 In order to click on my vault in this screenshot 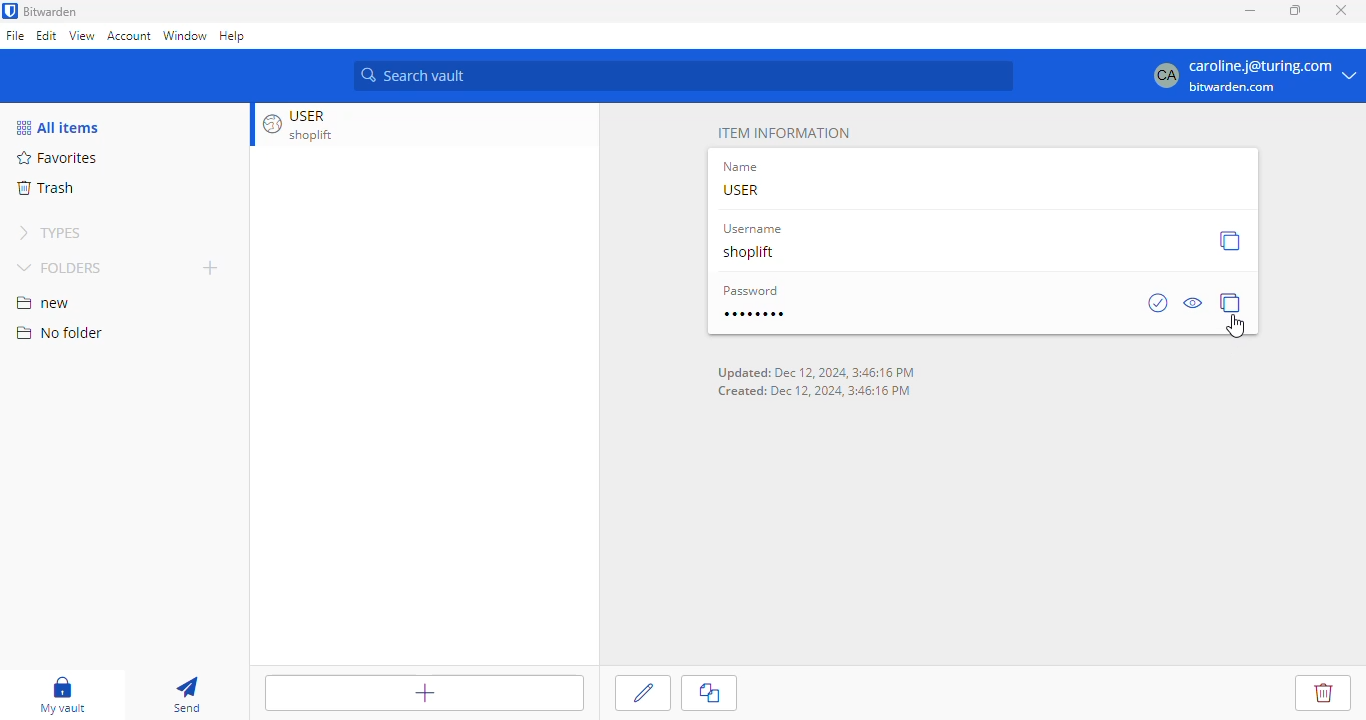, I will do `click(62, 695)`.